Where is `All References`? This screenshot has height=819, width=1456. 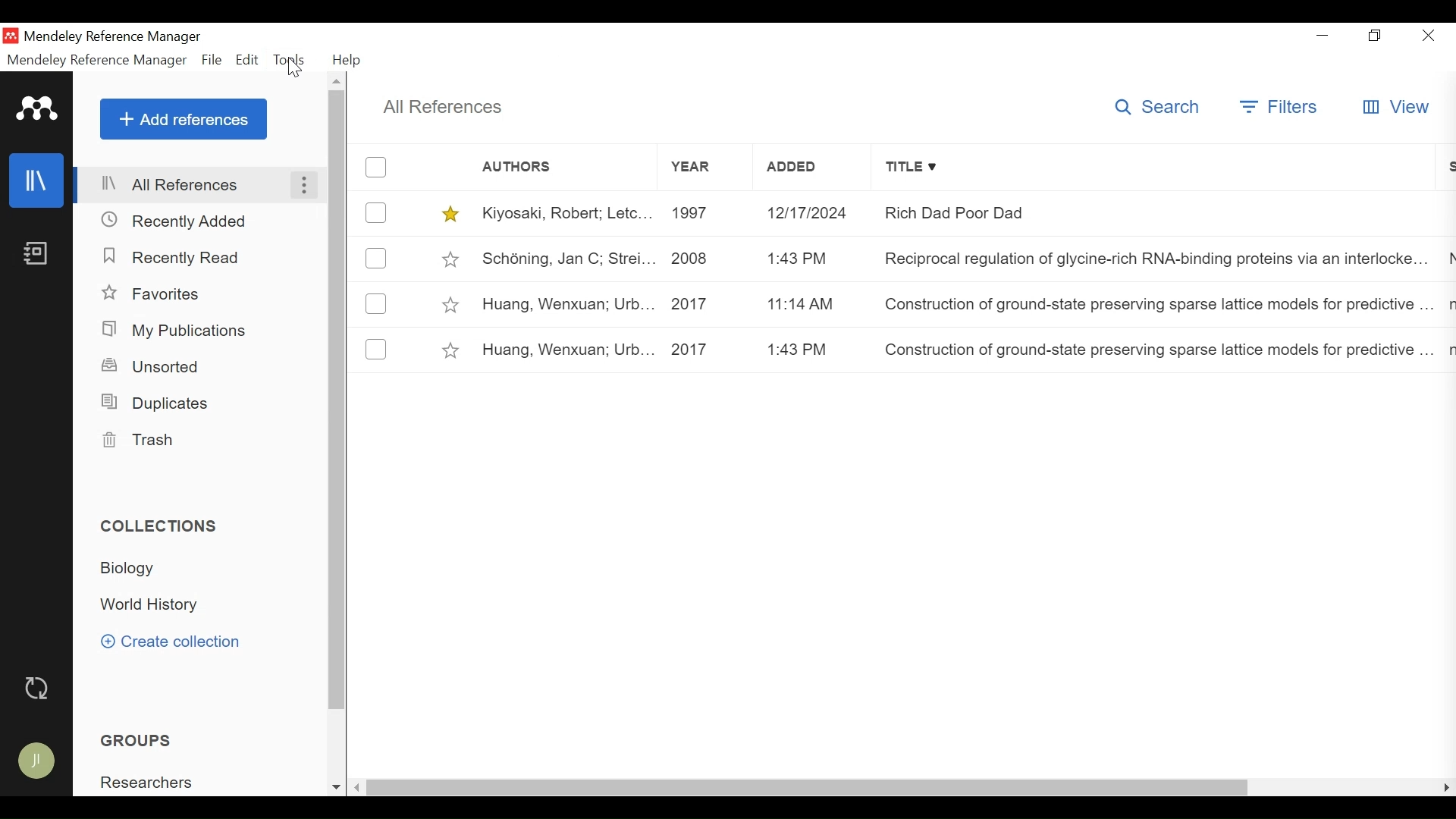
All References is located at coordinates (447, 106).